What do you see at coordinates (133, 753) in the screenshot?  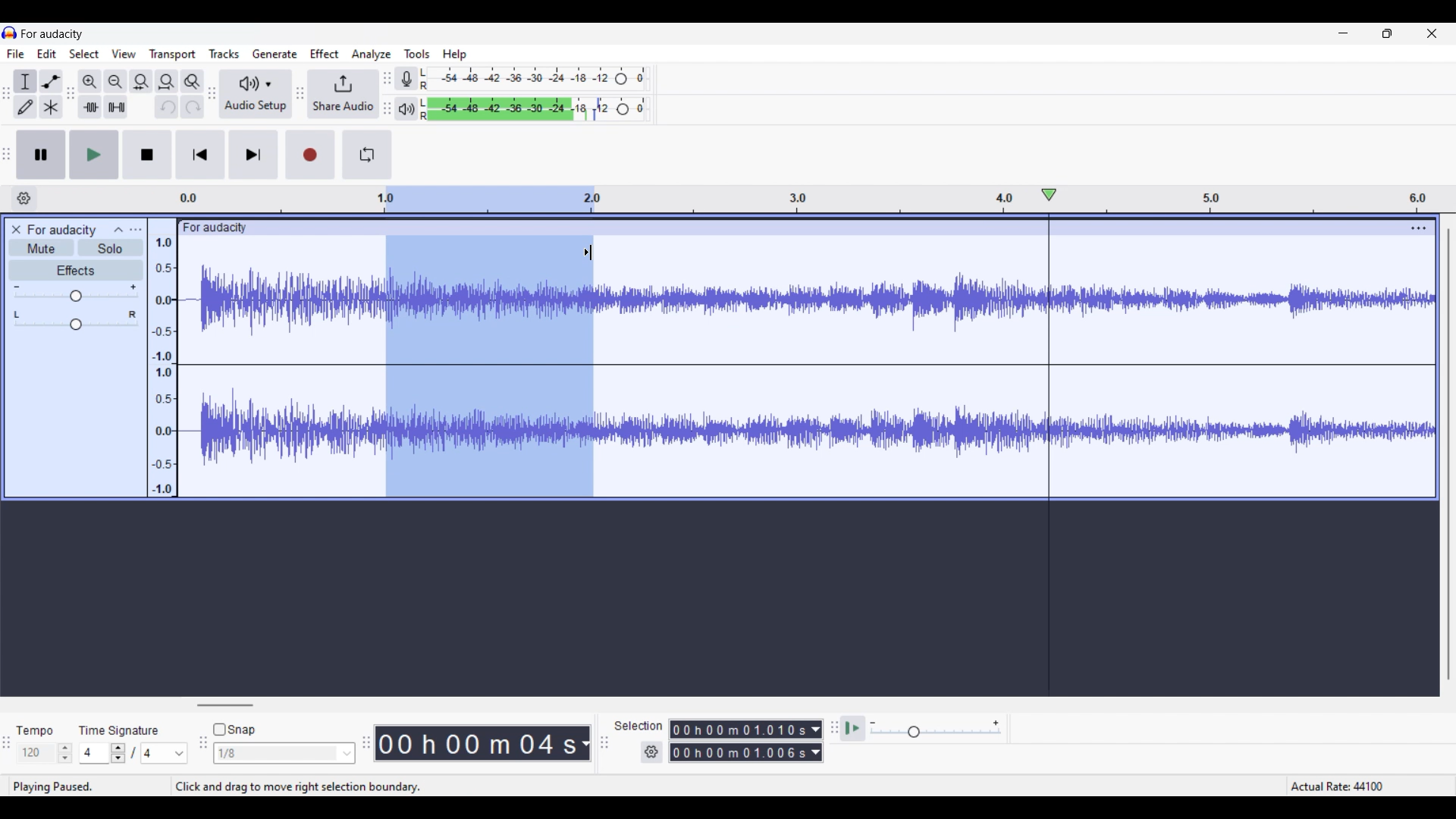 I see `Time signature settings` at bounding box center [133, 753].